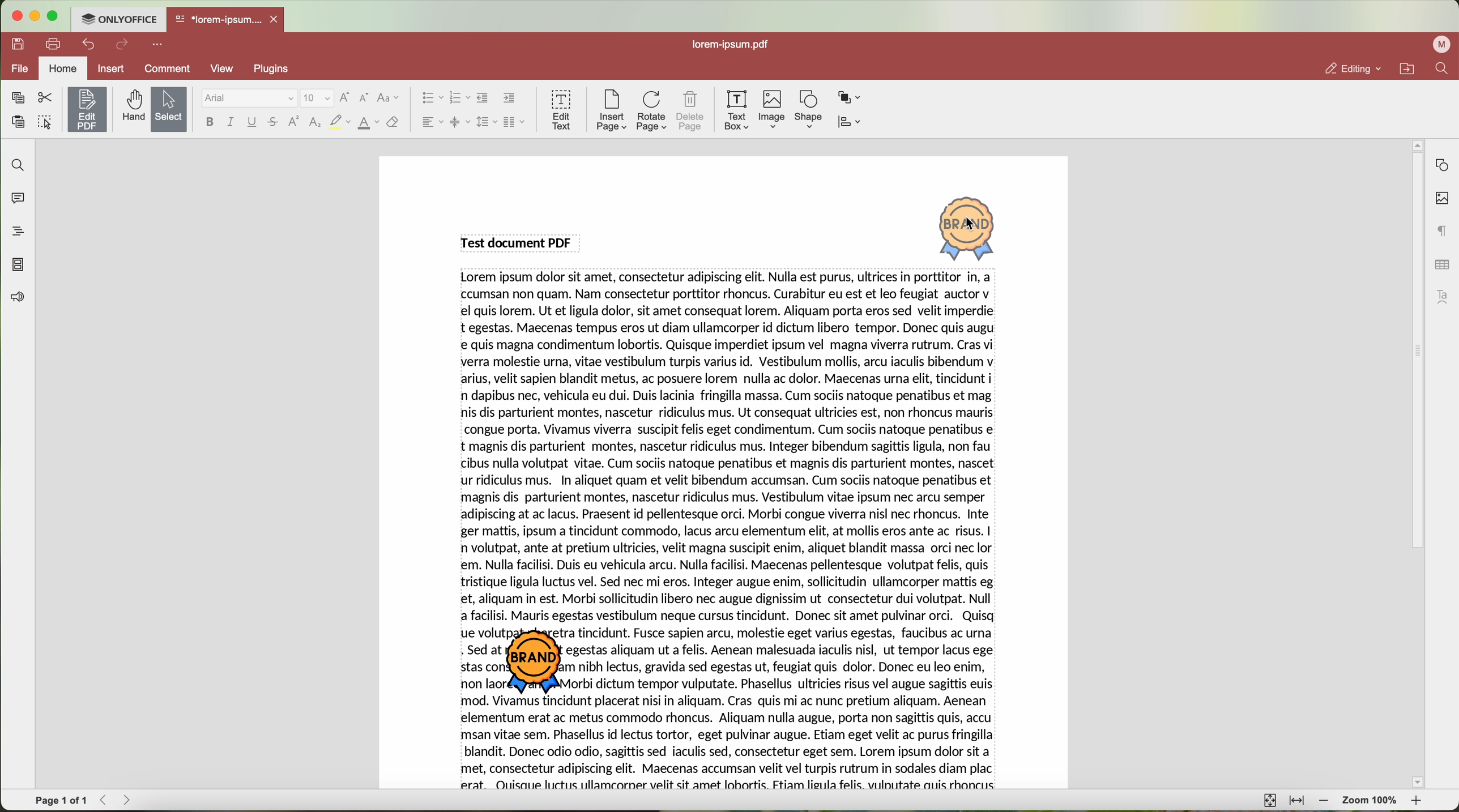 Image resolution: width=1459 pixels, height=812 pixels. Describe the element at coordinates (393, 123) in the screenshot. I see `clear style` at that location.